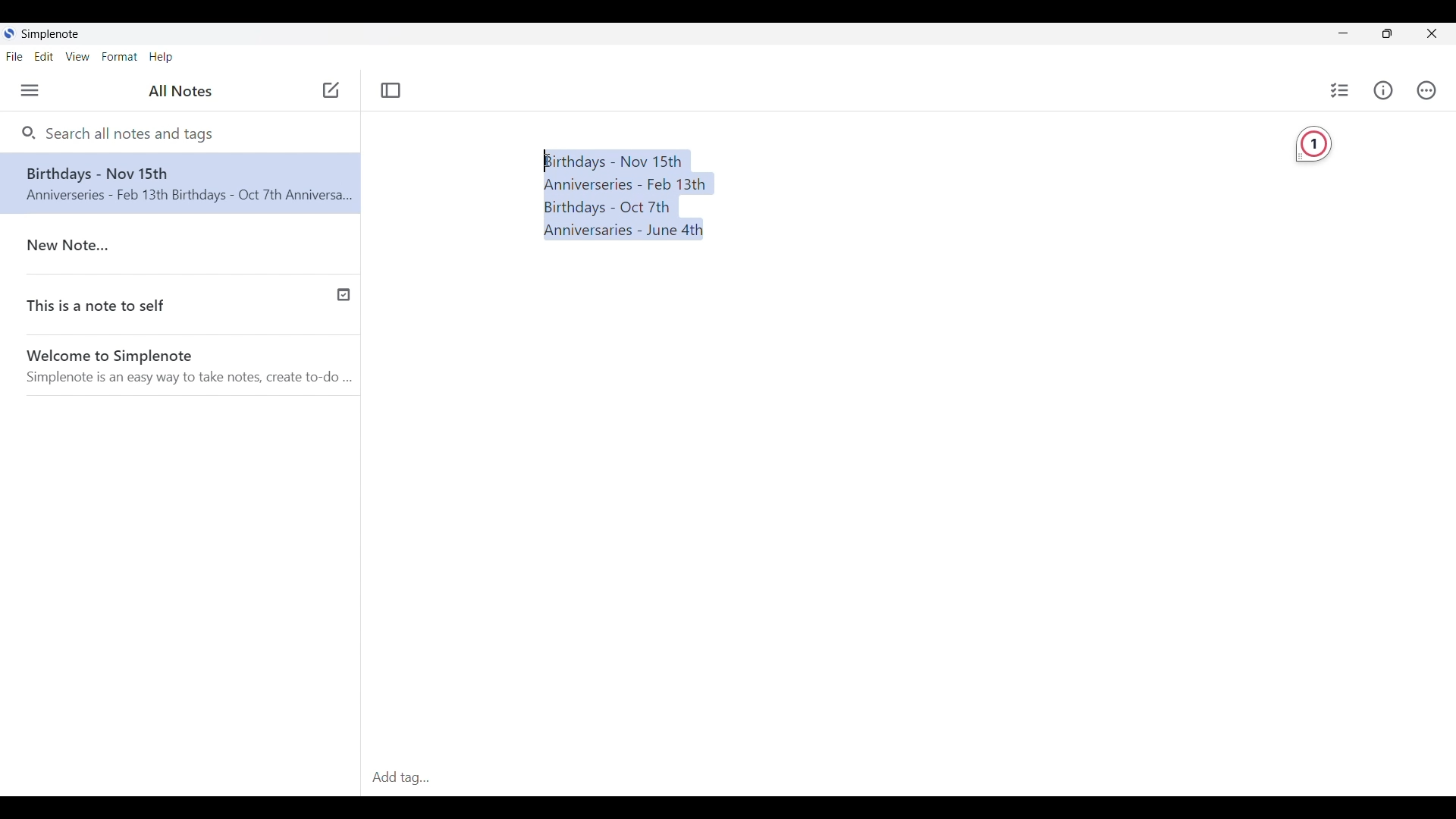  What do you see at coordinates (1426, 90) in the screenshot?
I see `Actions` at bounding box center [1426, 90].